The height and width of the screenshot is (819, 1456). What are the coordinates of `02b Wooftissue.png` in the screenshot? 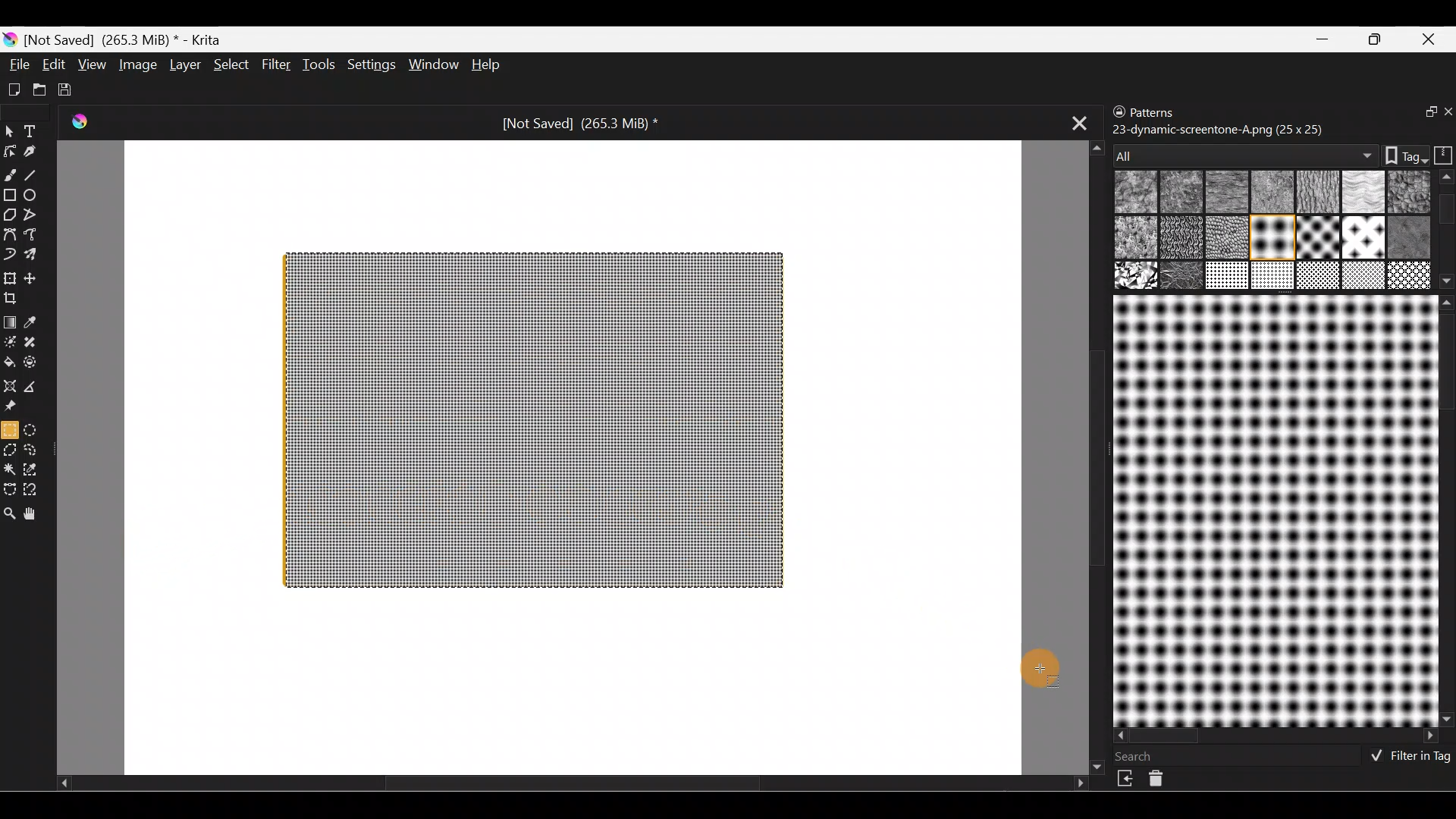 It's located at (1223, 193).